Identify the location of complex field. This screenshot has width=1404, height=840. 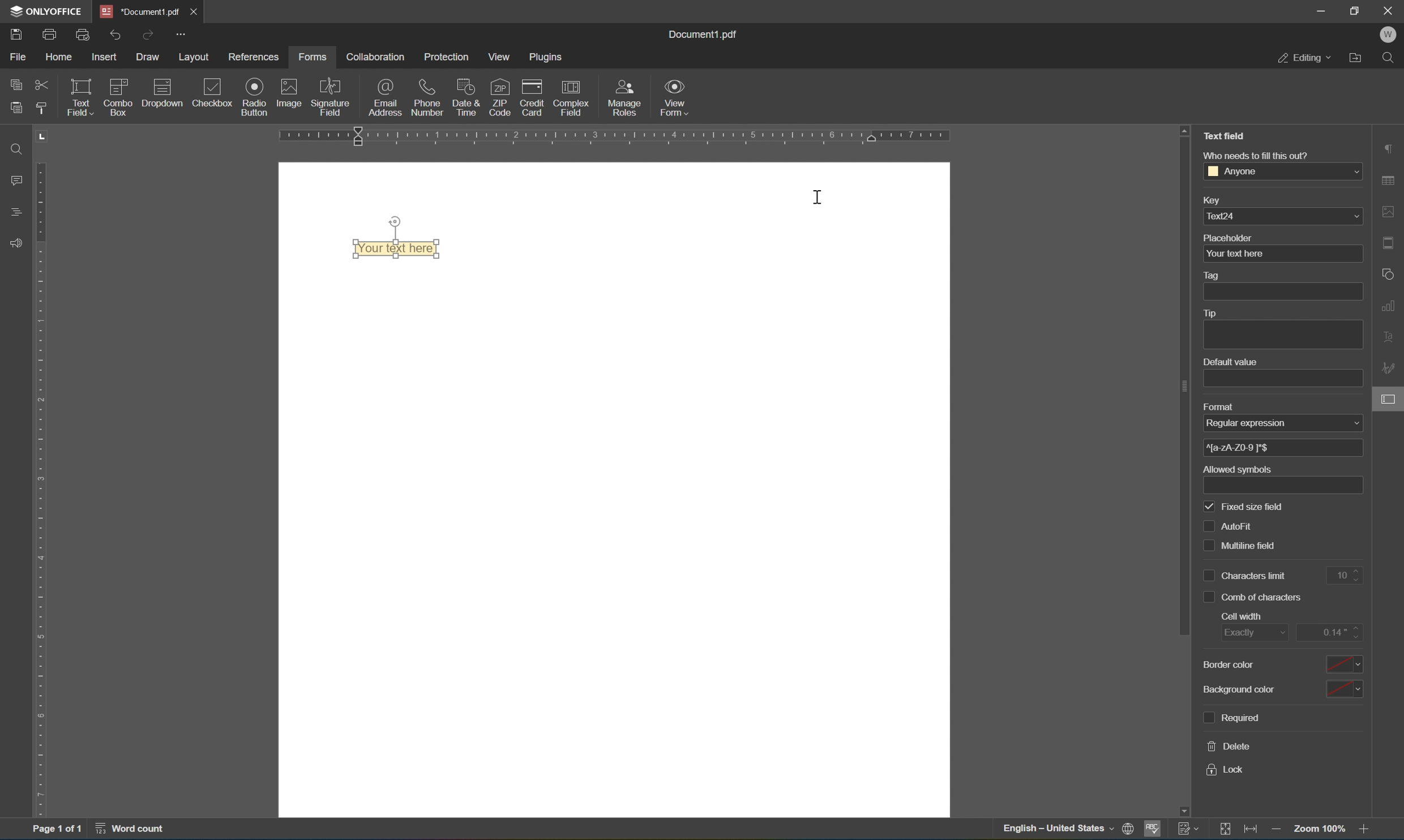
(570, 98).